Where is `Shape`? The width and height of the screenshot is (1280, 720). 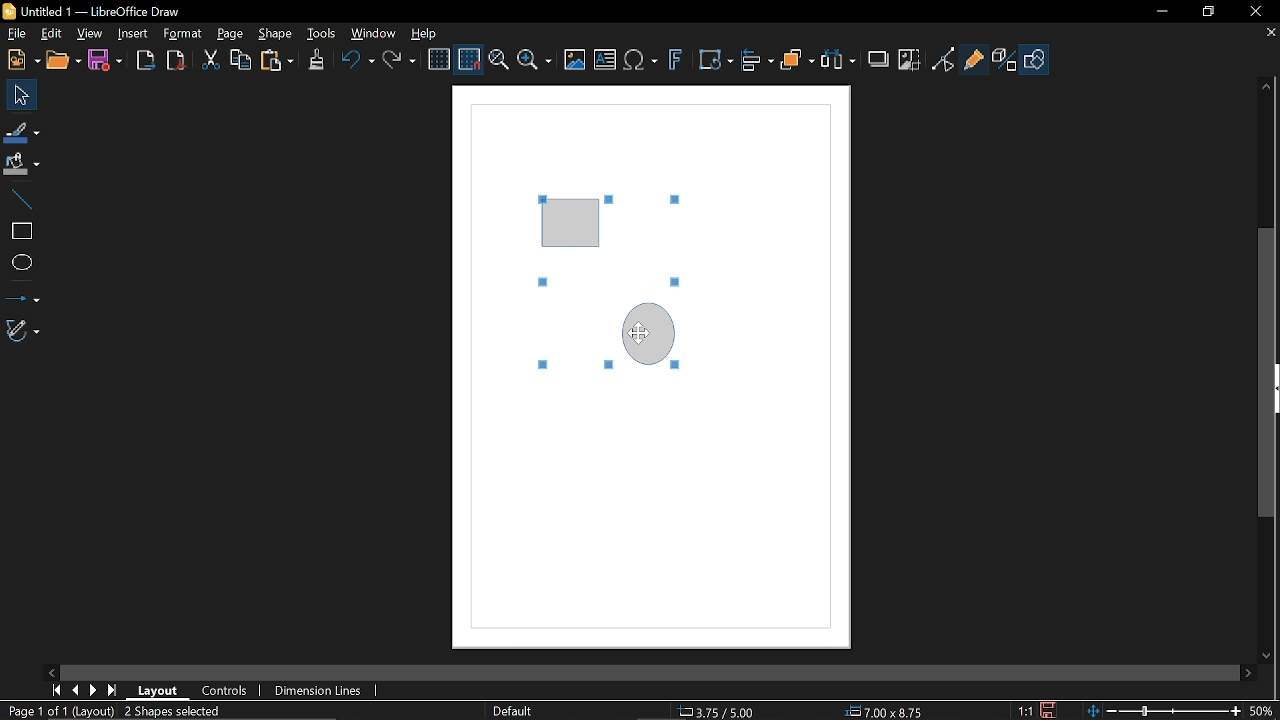
Shape is located at coordinates (275, 36).